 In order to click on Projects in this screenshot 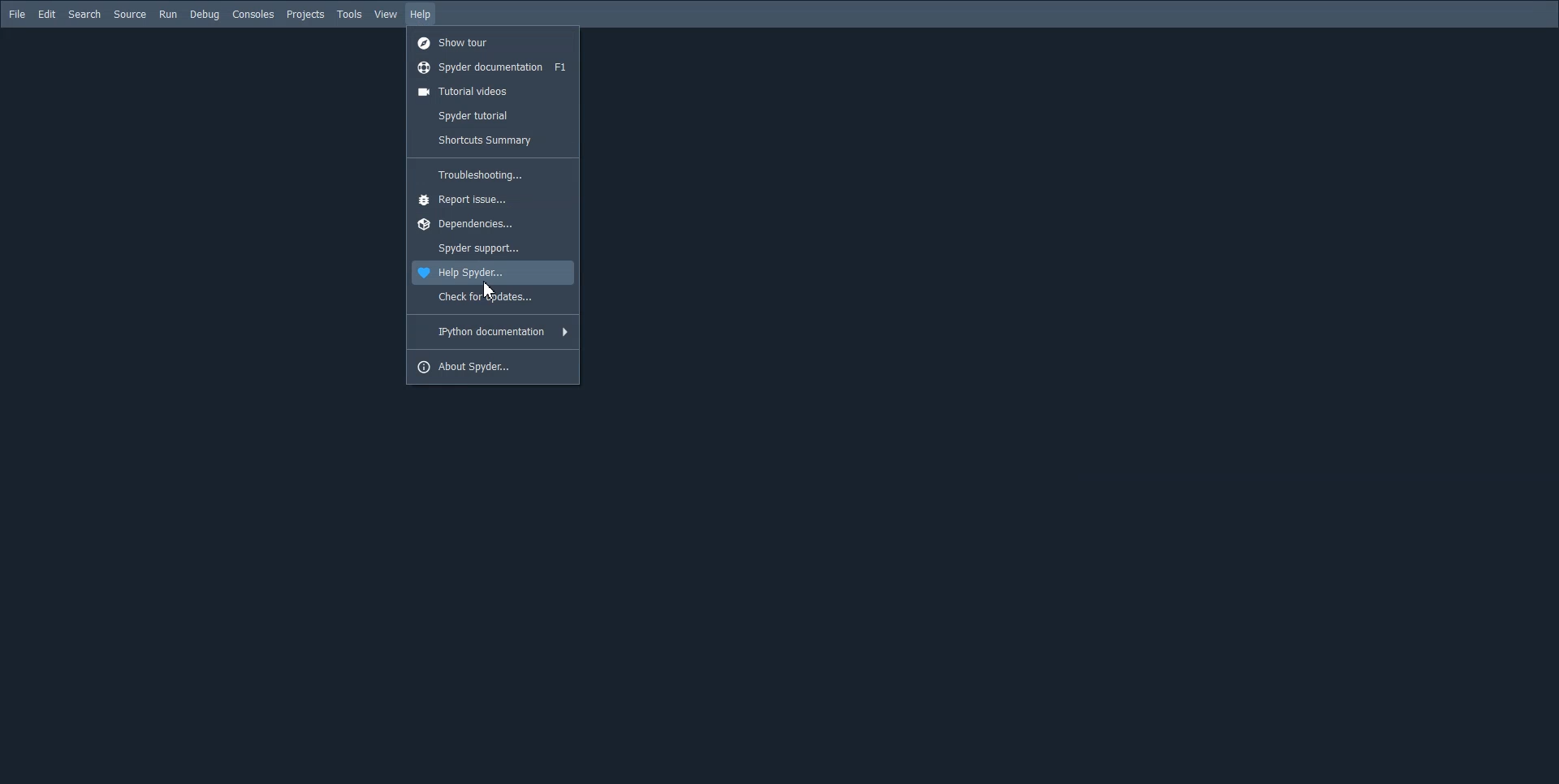, I will do `click(306, 15)`.